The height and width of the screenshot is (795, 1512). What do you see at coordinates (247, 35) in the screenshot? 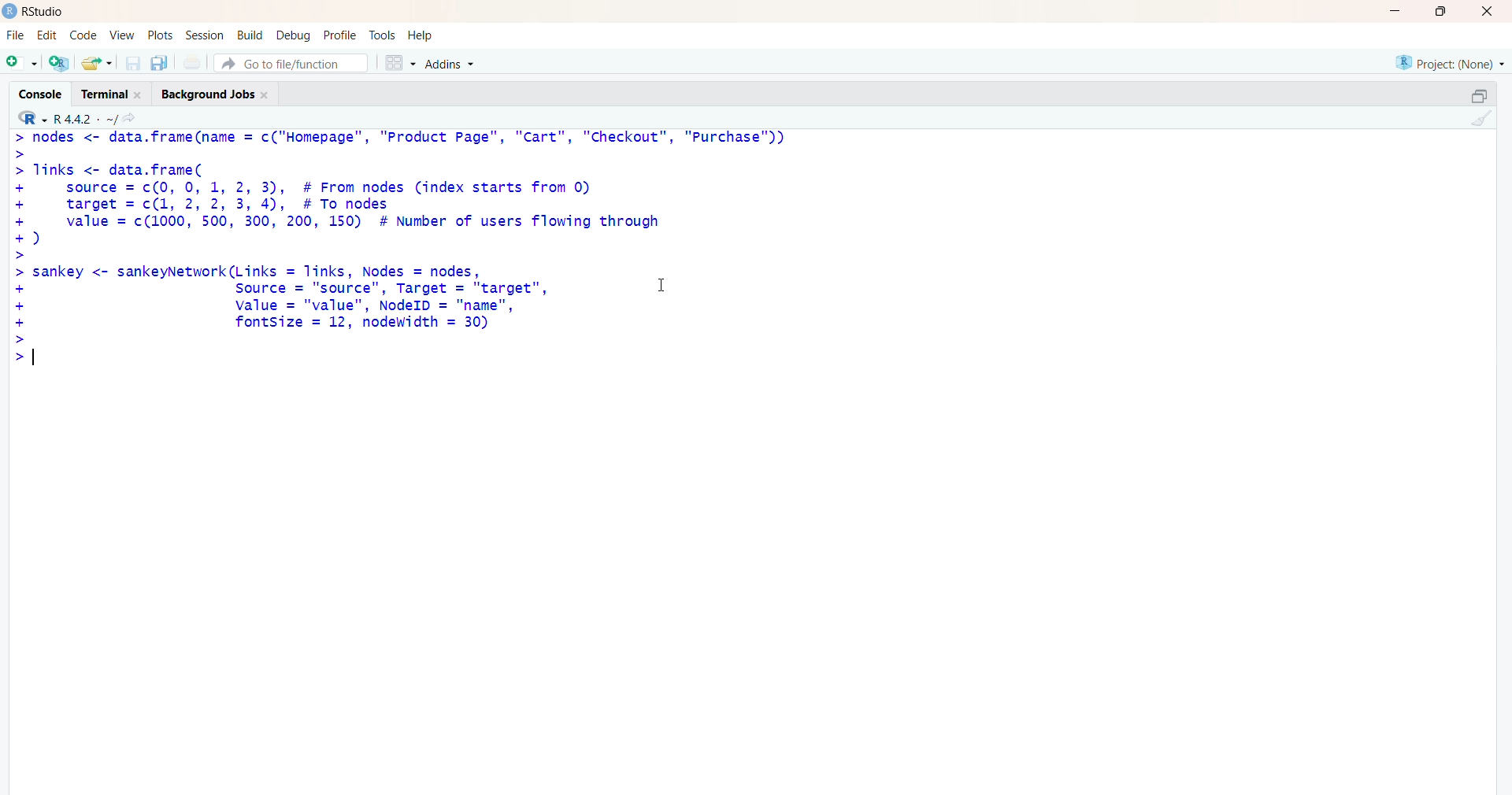
I see `build` at bounding box center [247, 35].